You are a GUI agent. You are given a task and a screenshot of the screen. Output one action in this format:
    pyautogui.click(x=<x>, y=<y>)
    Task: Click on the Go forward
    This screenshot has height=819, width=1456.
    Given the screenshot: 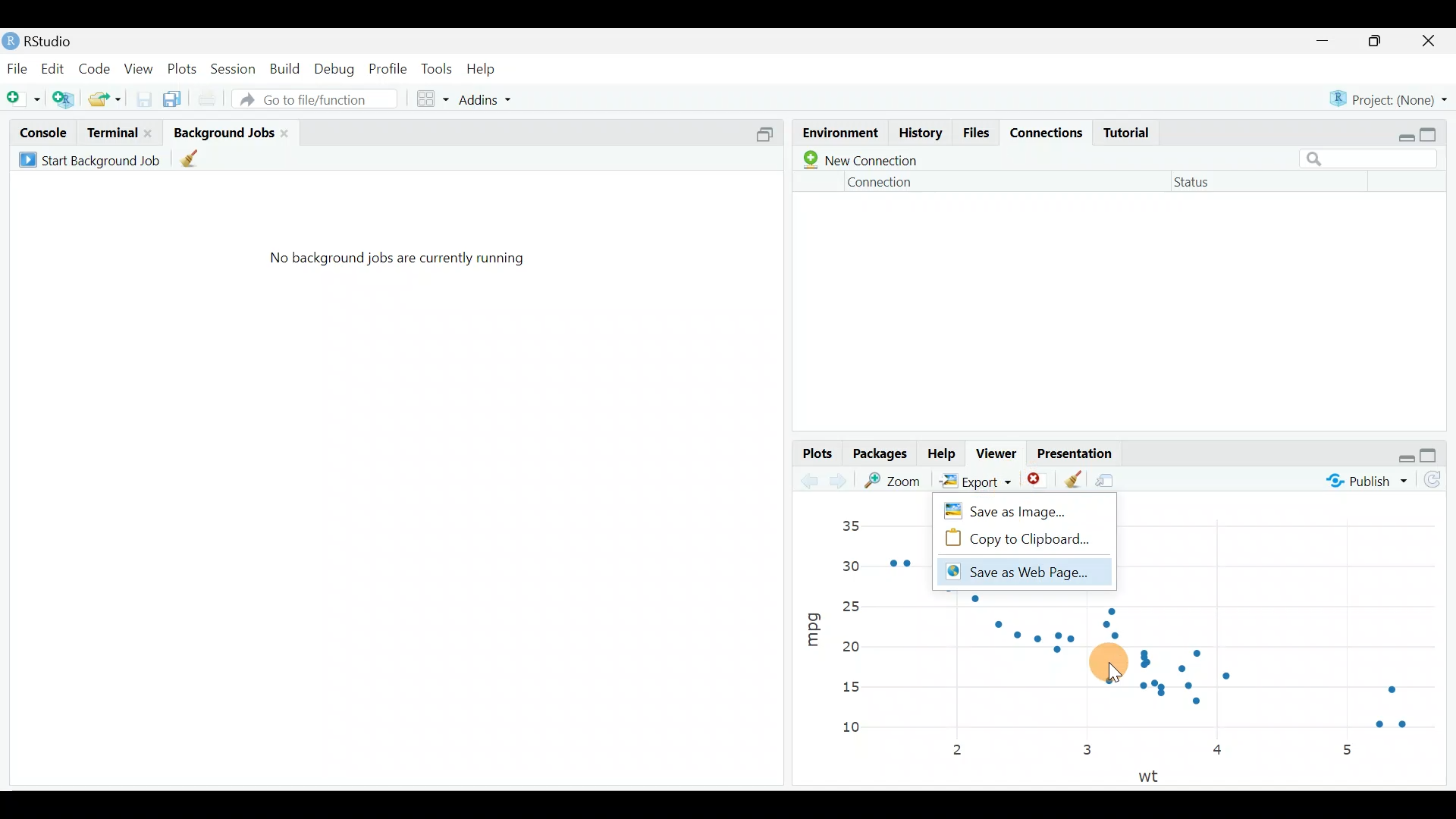 What is the action you would take?
    pyautogui.click(x=843, y=481)
    